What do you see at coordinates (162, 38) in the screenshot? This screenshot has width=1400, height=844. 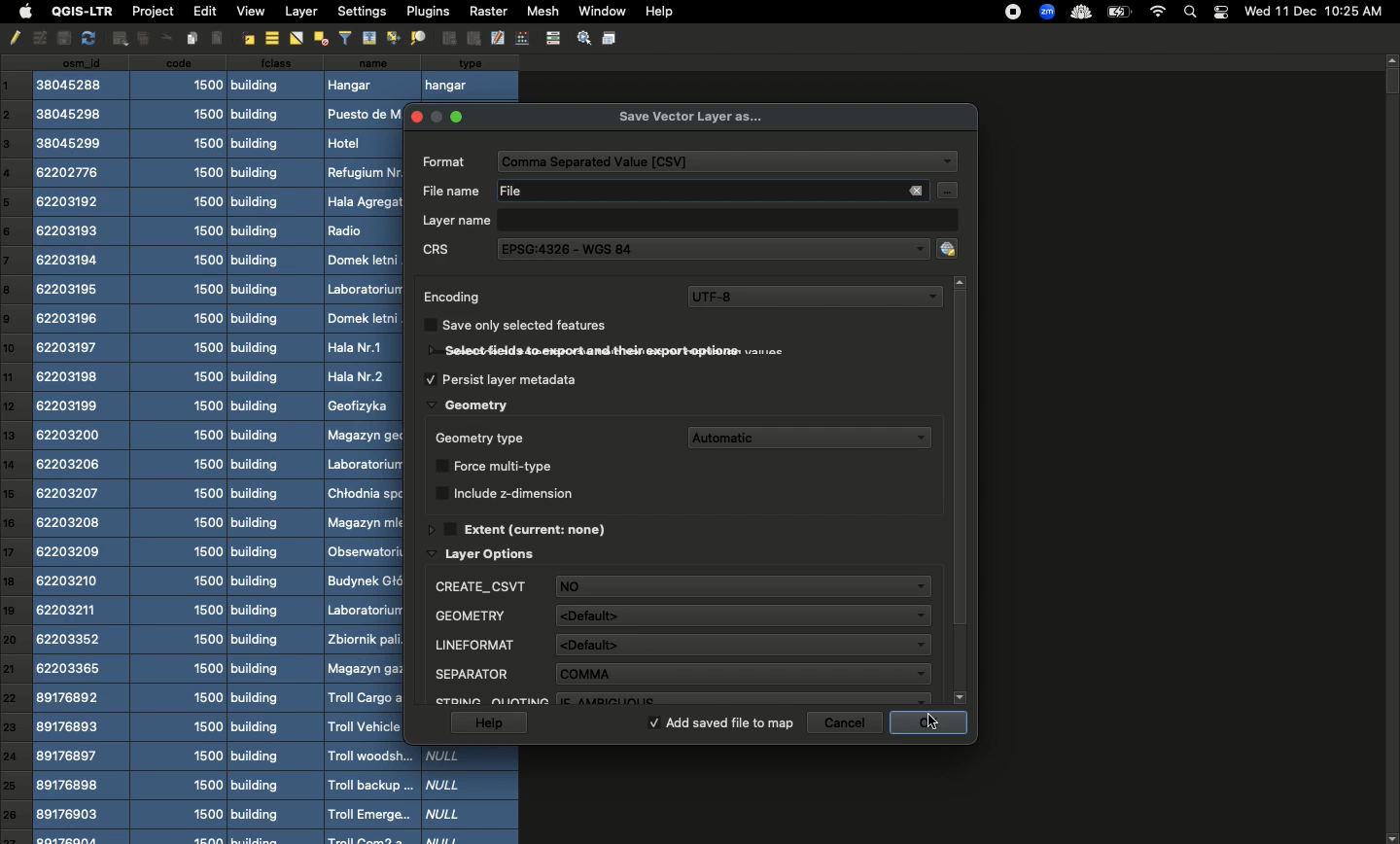 I see `` at bounding box center [162, 38].